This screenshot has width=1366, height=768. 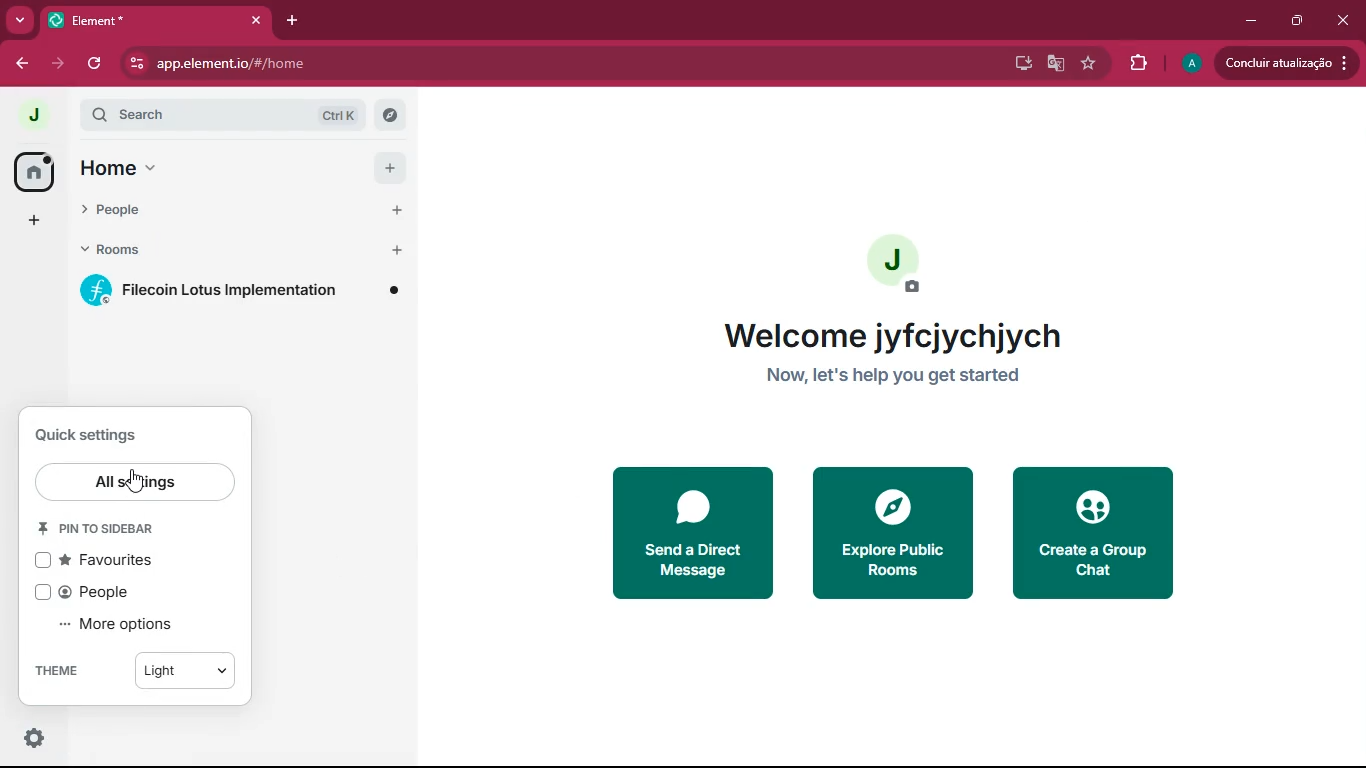 What do you see at coordinates (900, 335) in the screenshot?
I see `welcome ` at bounding box center [900, 335].